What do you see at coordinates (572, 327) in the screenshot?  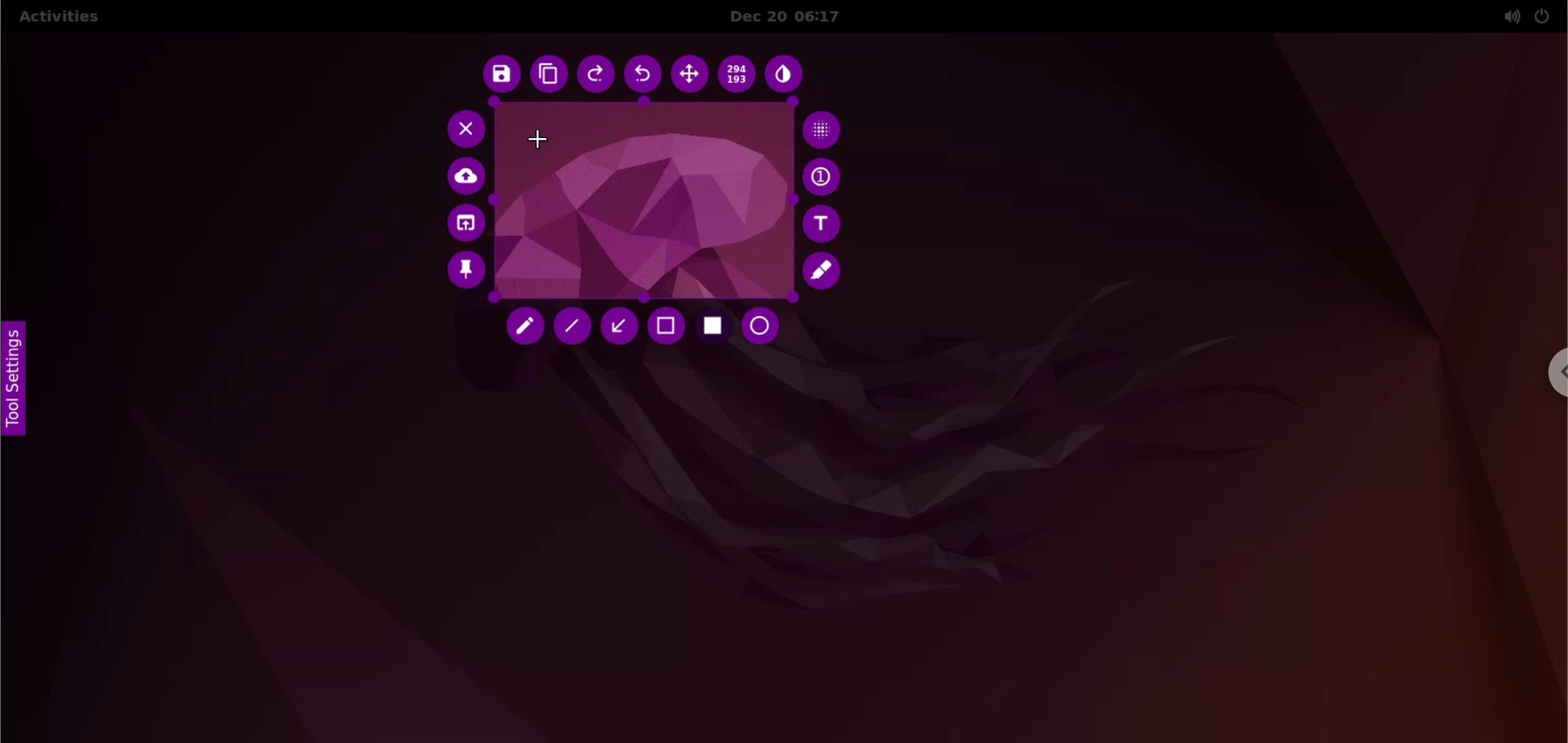 I see `line tool` at bounding box center [572, 327].